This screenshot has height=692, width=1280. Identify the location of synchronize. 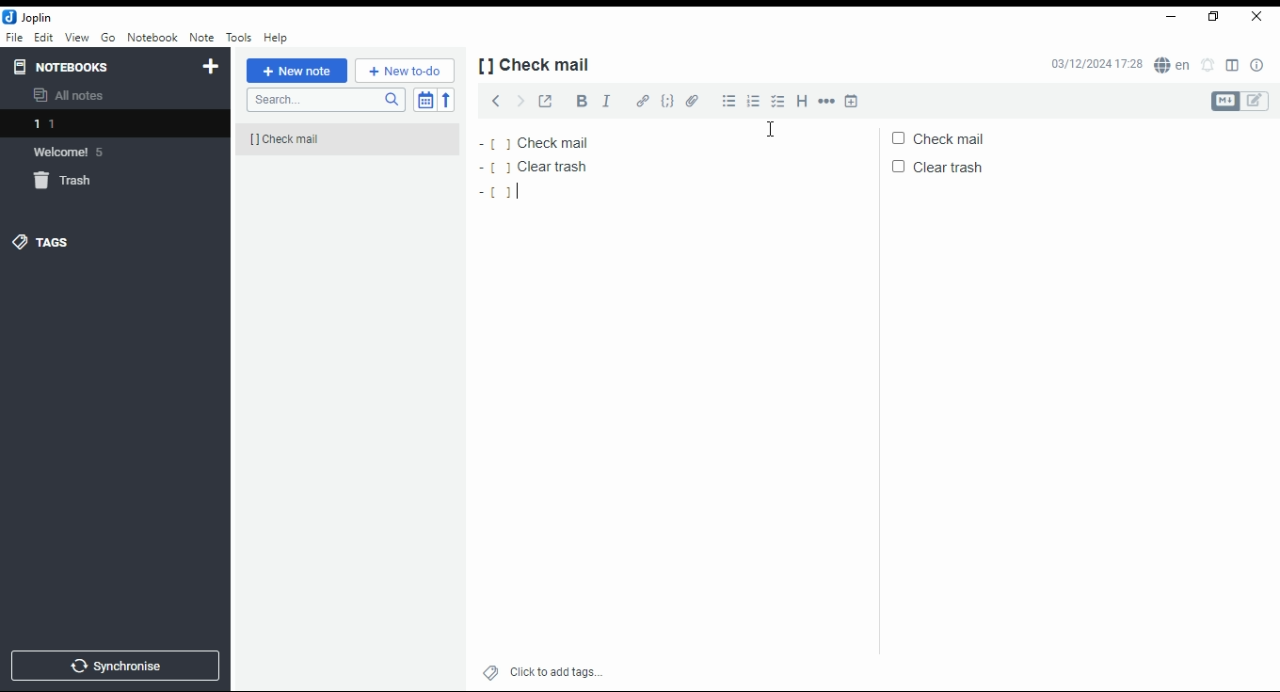
(116, 666).